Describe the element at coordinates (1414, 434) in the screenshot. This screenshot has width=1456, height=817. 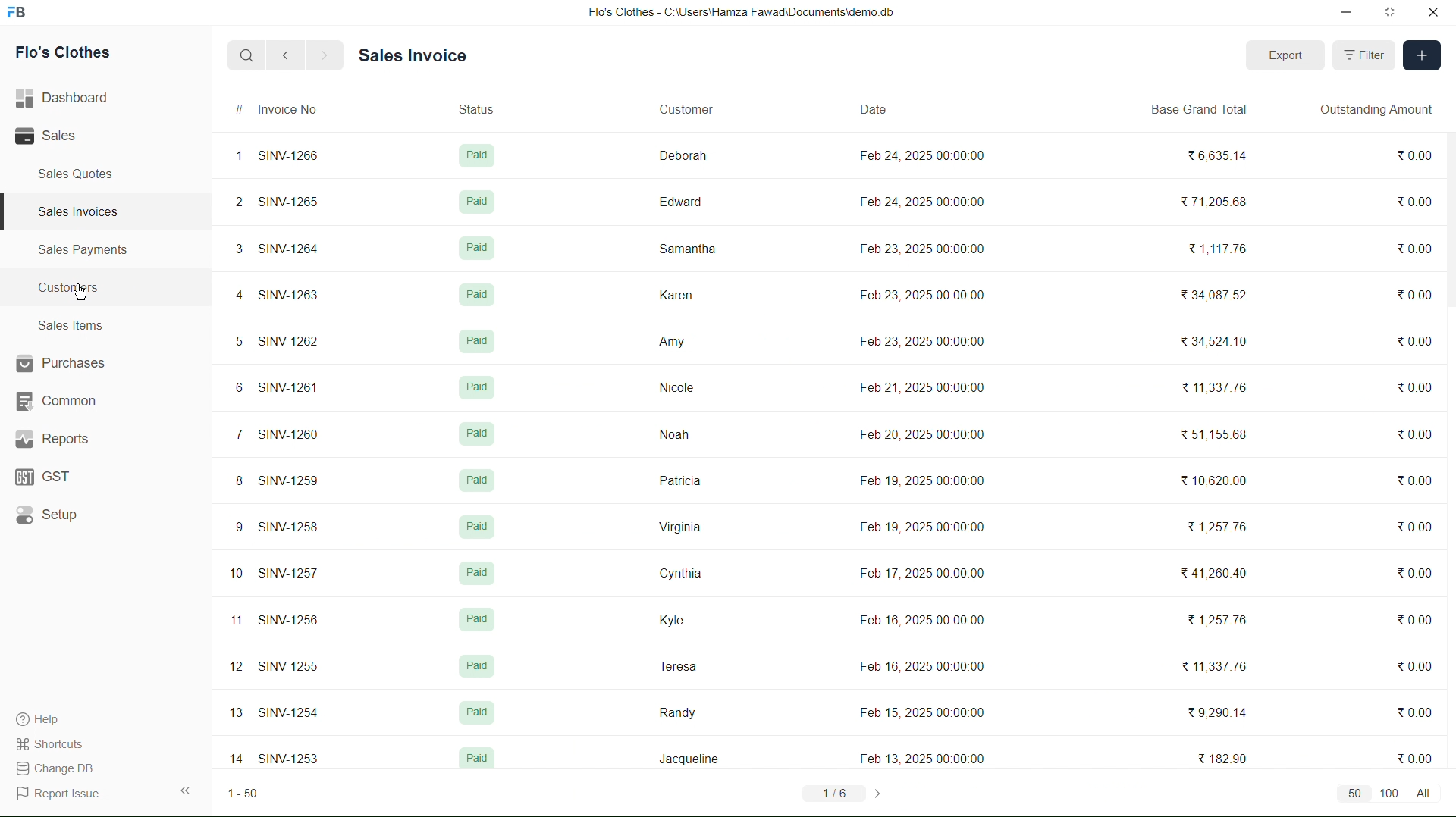
I see `0.00` at that location.